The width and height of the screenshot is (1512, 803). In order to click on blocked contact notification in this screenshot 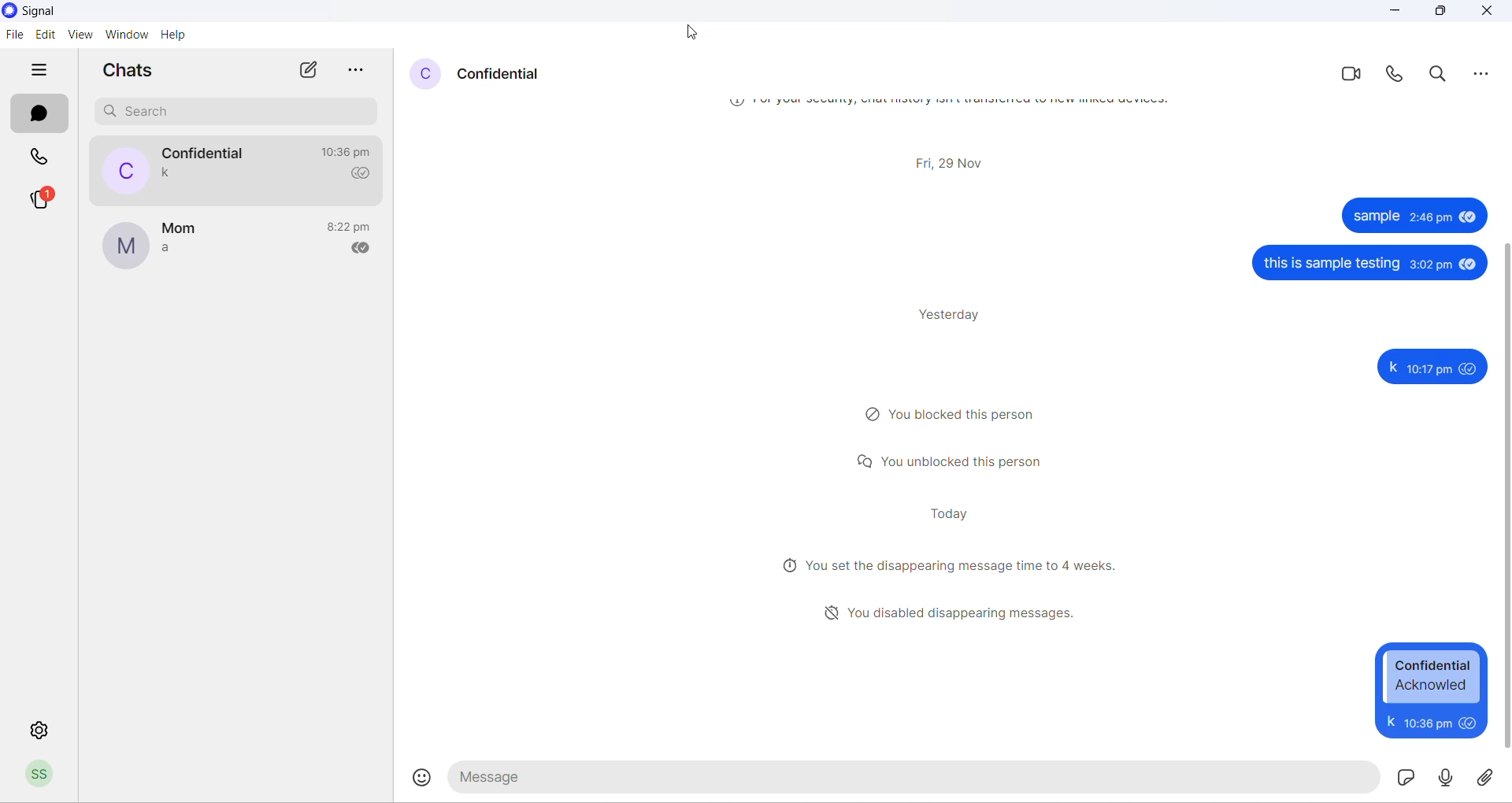, I will do `click(957, 413)`.